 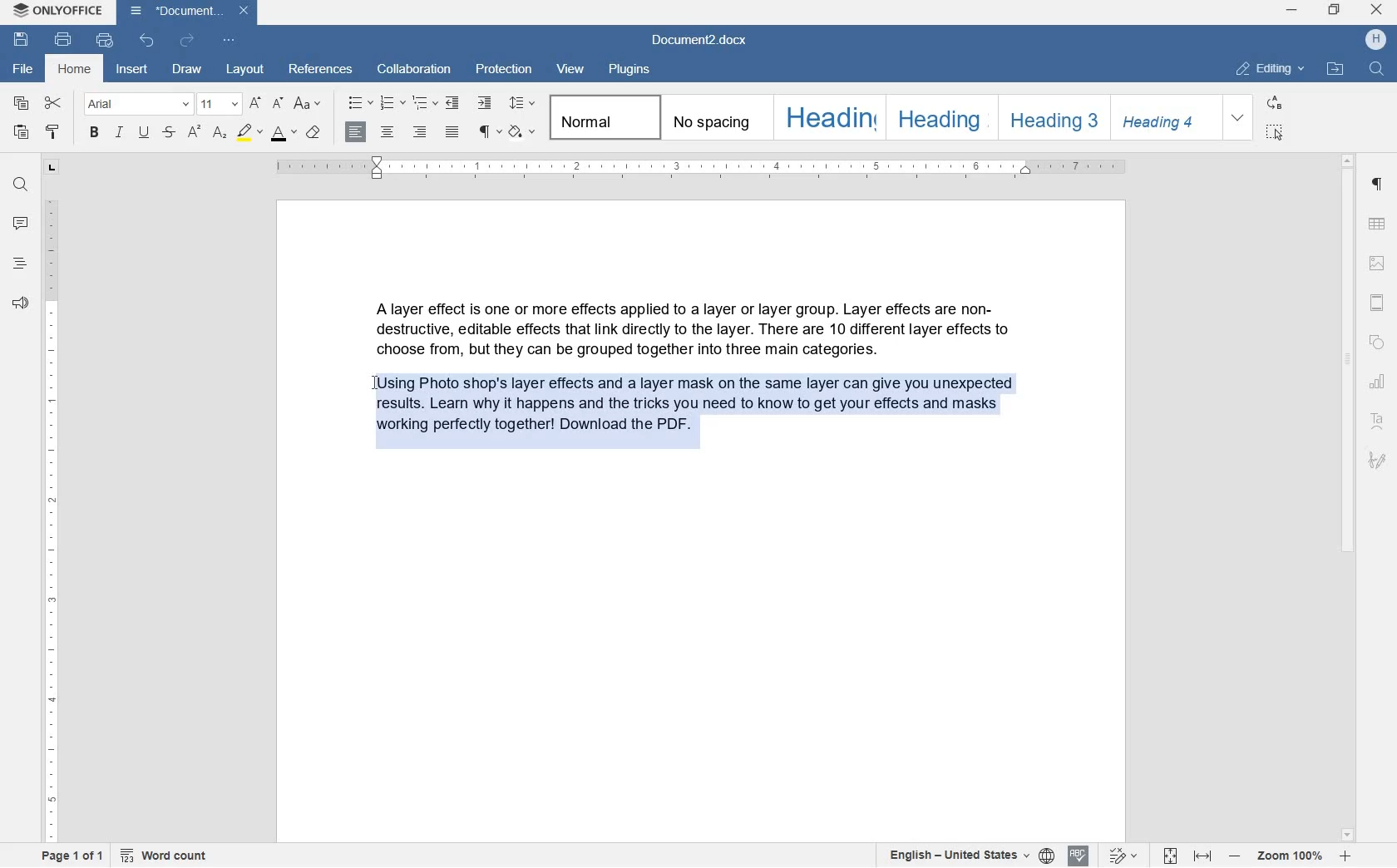 What do you see at coordinates (248, 132) in the screenshot?
I see `HIGHLIGHT COLOR` at bounding box center [248, 132].